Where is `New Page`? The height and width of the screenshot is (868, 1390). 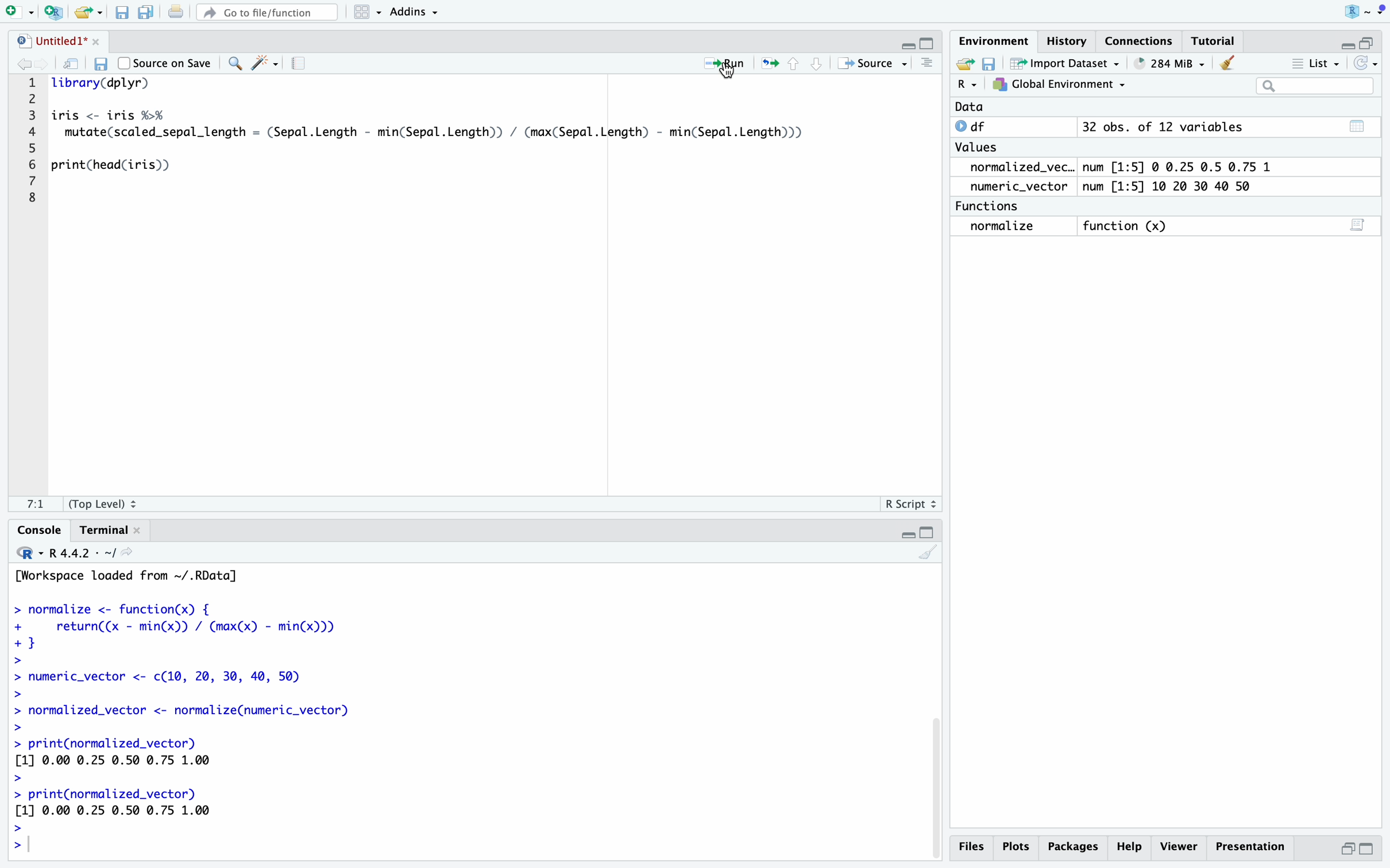 New Page is located at coordinates (15, 10).